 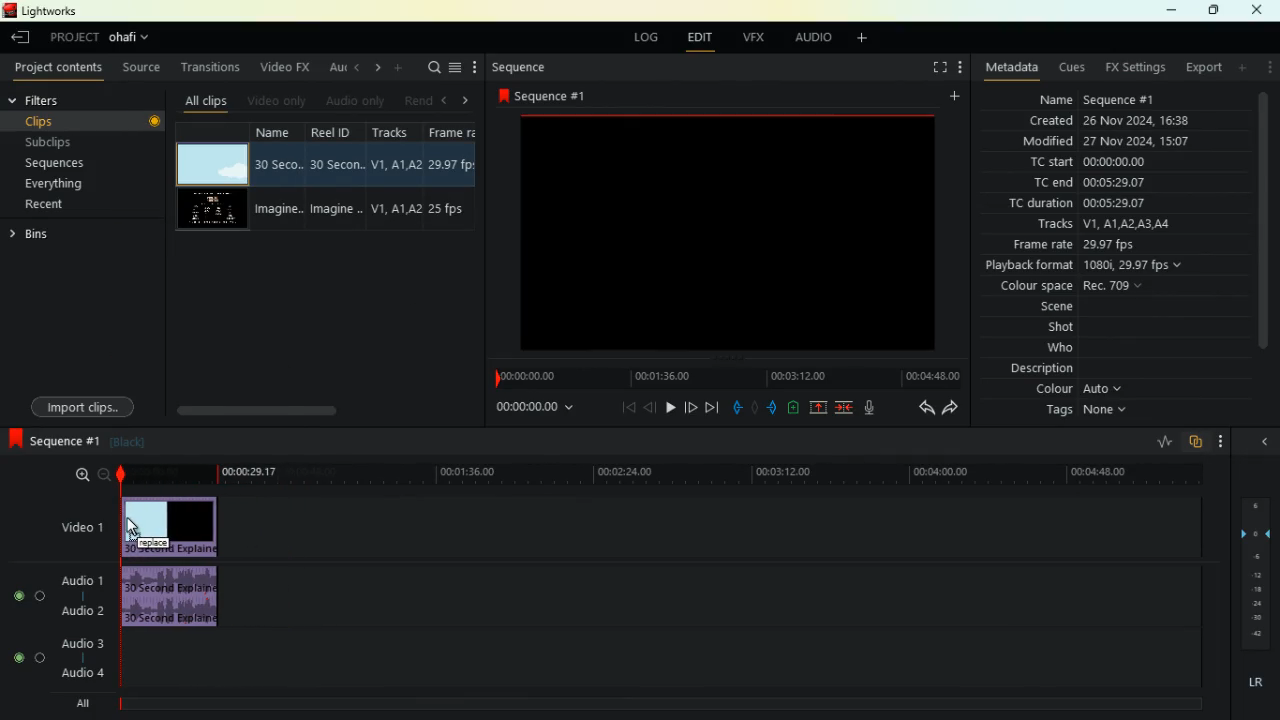 What do you see at coordinates (213, 67) in the screenshot?
I see `transitions` at bounding box center [213, 67].